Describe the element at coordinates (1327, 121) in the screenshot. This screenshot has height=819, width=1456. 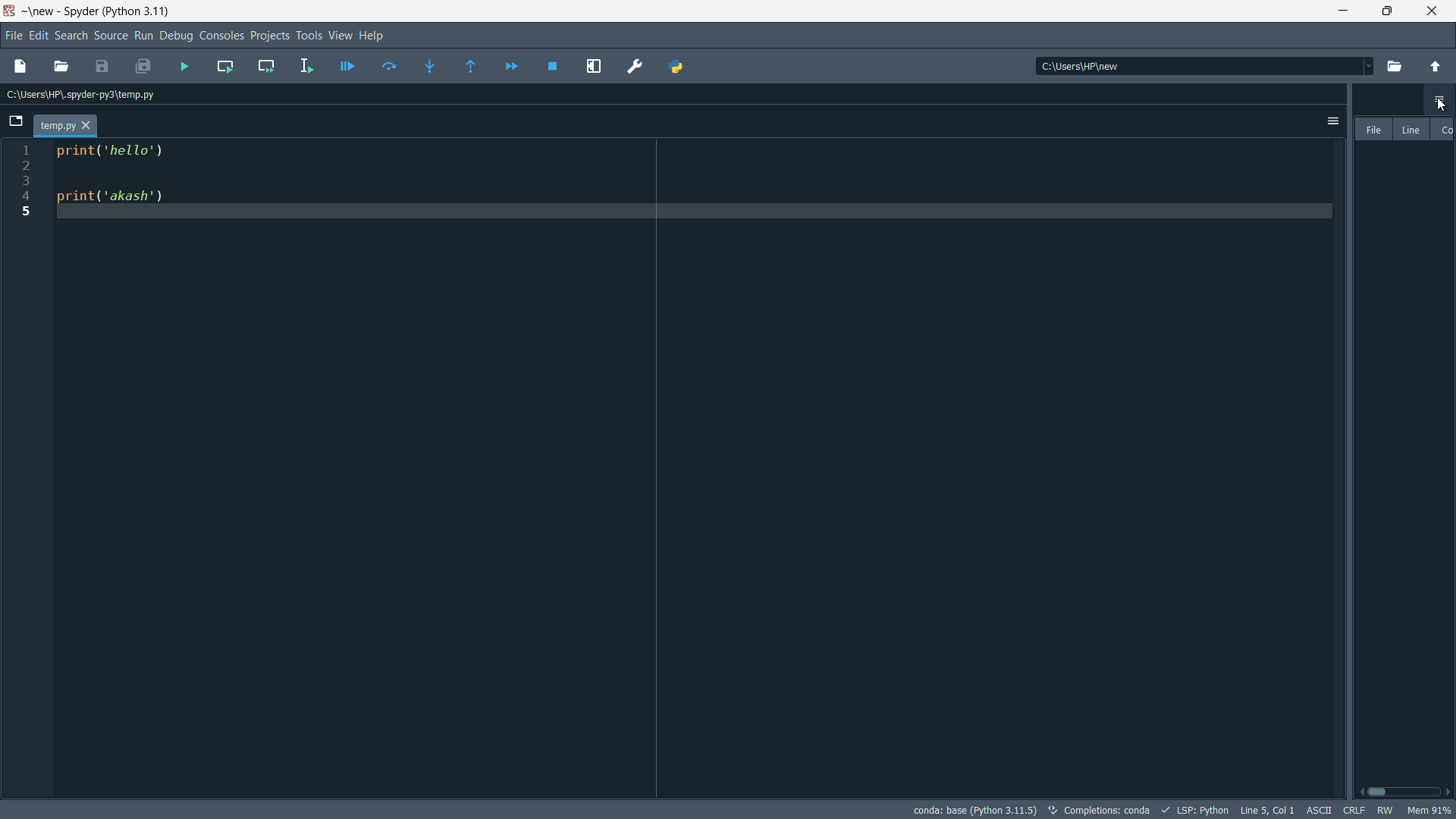
I see `options` at that location.